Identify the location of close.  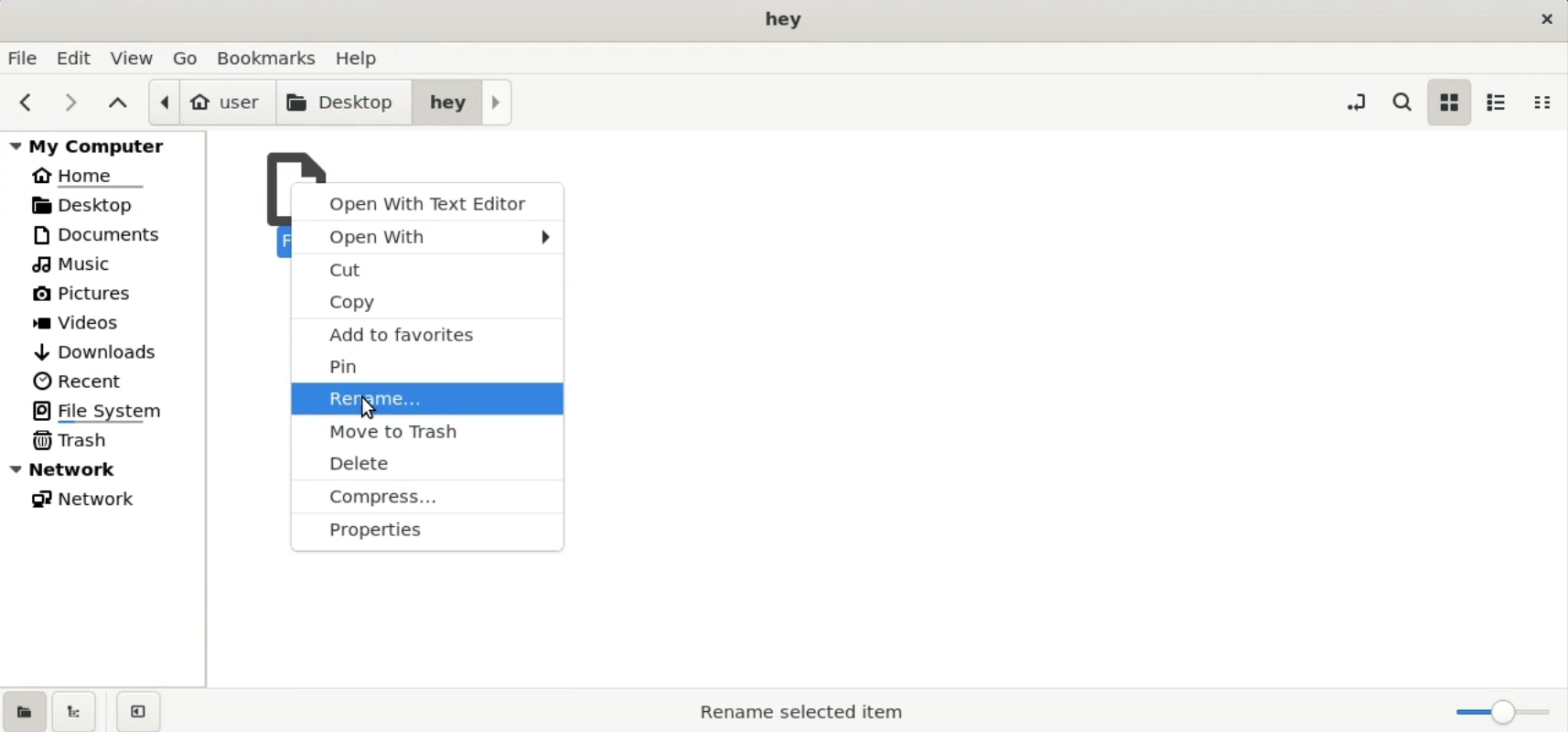
(1543, 18).